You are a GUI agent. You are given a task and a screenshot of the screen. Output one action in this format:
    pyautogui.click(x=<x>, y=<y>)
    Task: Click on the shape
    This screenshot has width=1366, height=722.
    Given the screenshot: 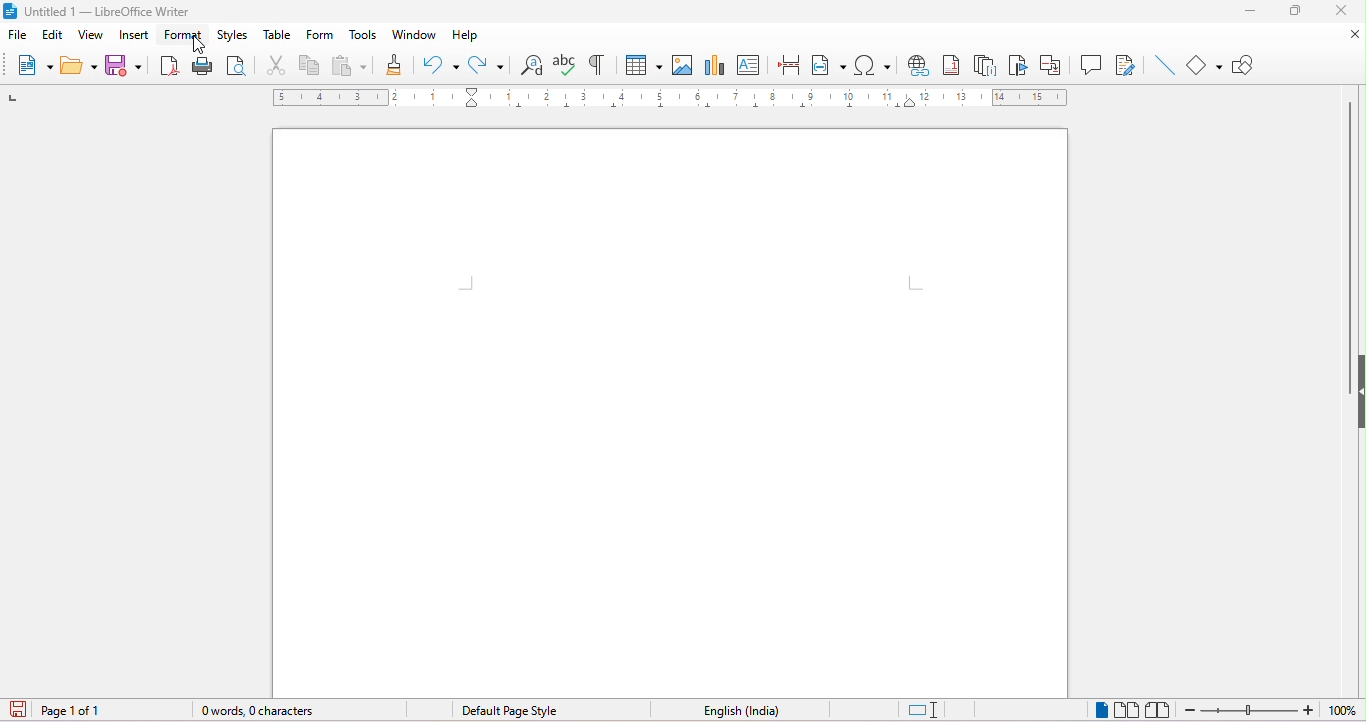 What is the action you would take?
    pyautogui.click(x=1204, y=65)
    